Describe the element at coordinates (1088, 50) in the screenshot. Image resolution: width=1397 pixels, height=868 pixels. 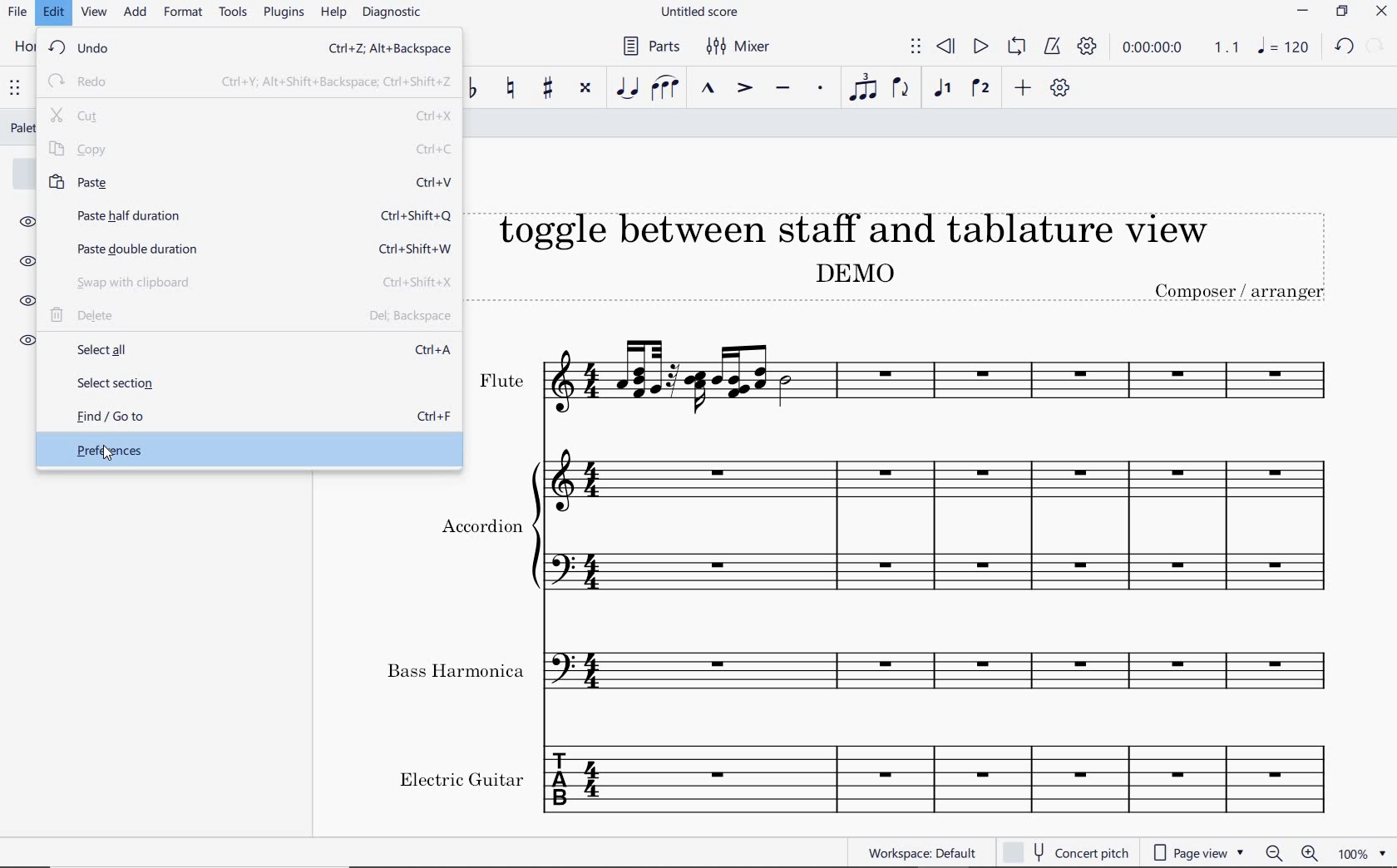
I see `playback settings` at that location.